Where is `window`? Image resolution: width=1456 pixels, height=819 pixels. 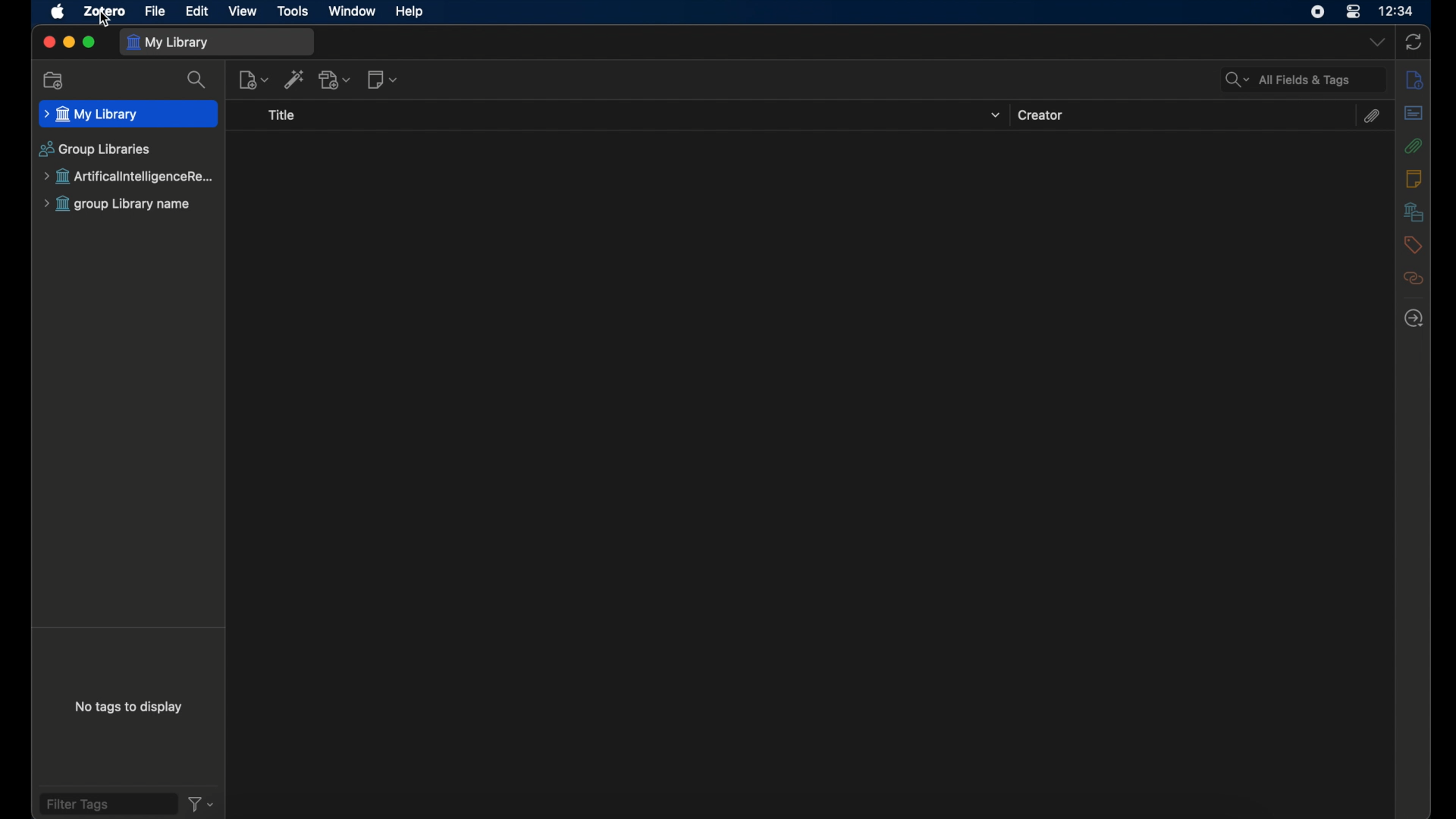
window is located at coordinates (352, 11).